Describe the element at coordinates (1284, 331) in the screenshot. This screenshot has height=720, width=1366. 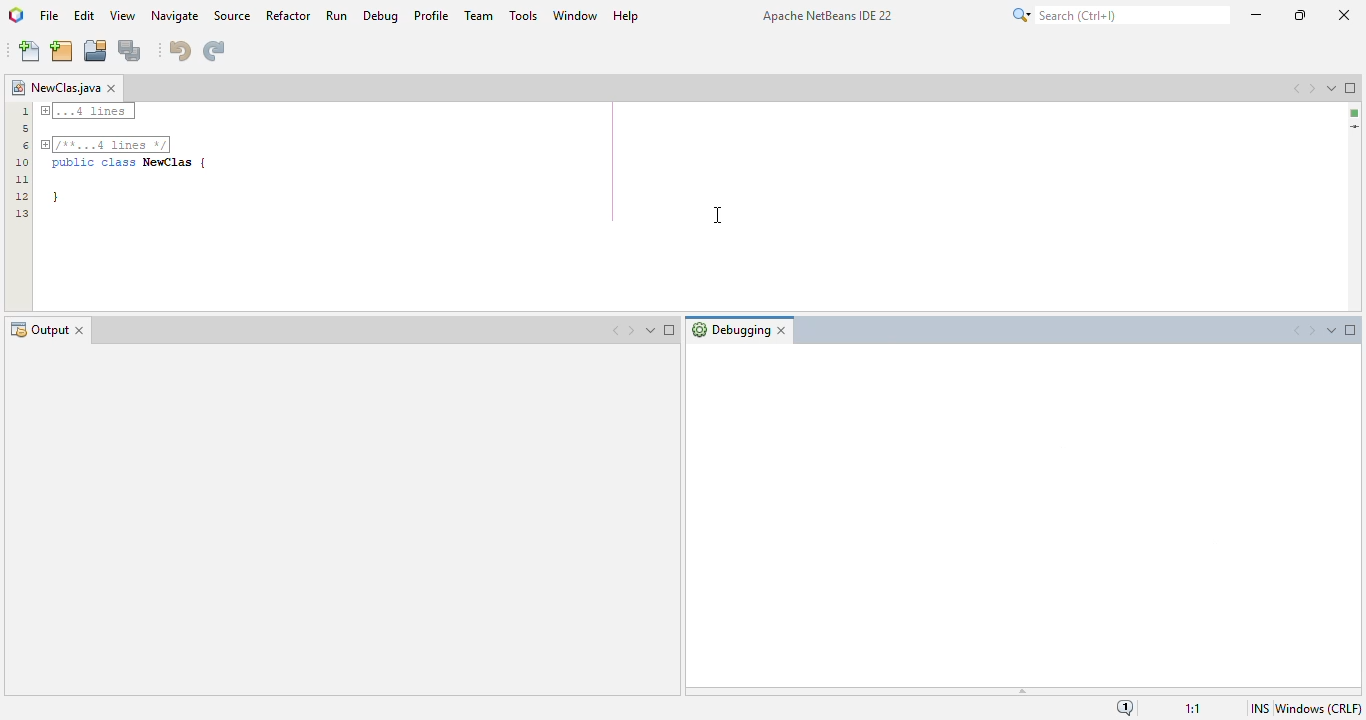
I see `Previous` at that location.